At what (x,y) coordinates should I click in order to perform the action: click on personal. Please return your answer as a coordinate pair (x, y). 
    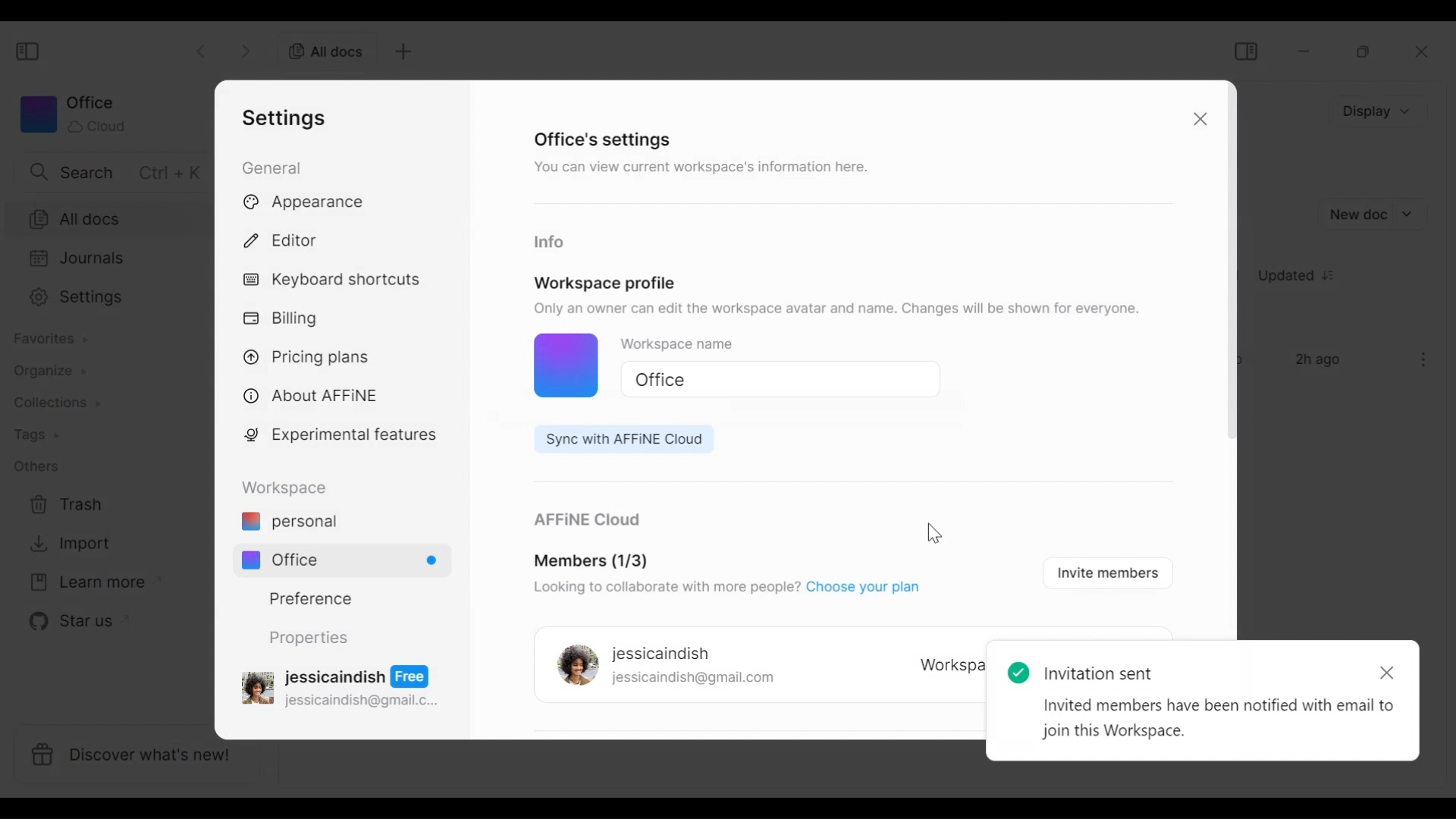
    Looking at the image, I should click on (289, 523).